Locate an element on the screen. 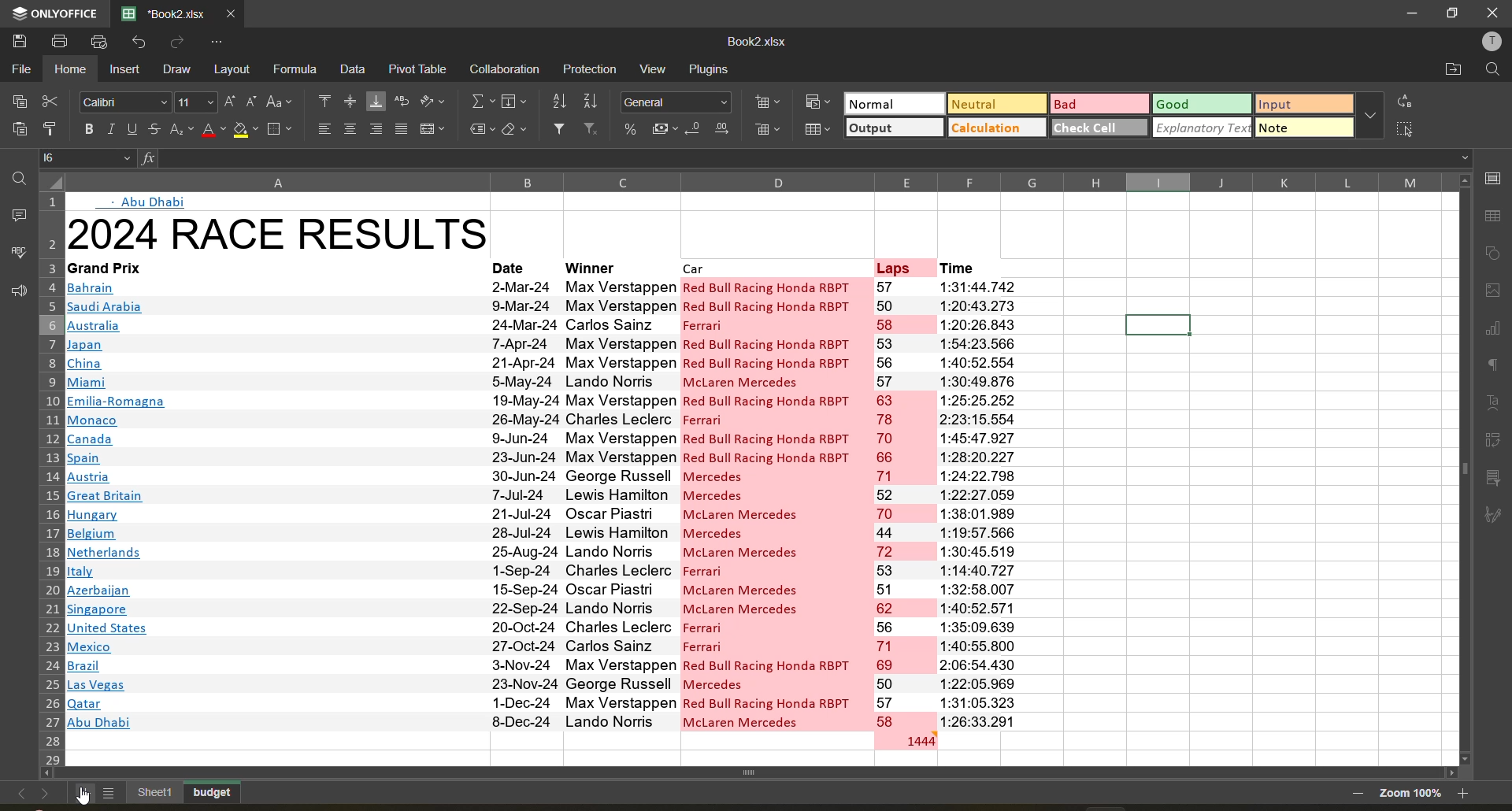 The height and width of the screenshot is (811, 1512). date is located at coordinates (517, 265).